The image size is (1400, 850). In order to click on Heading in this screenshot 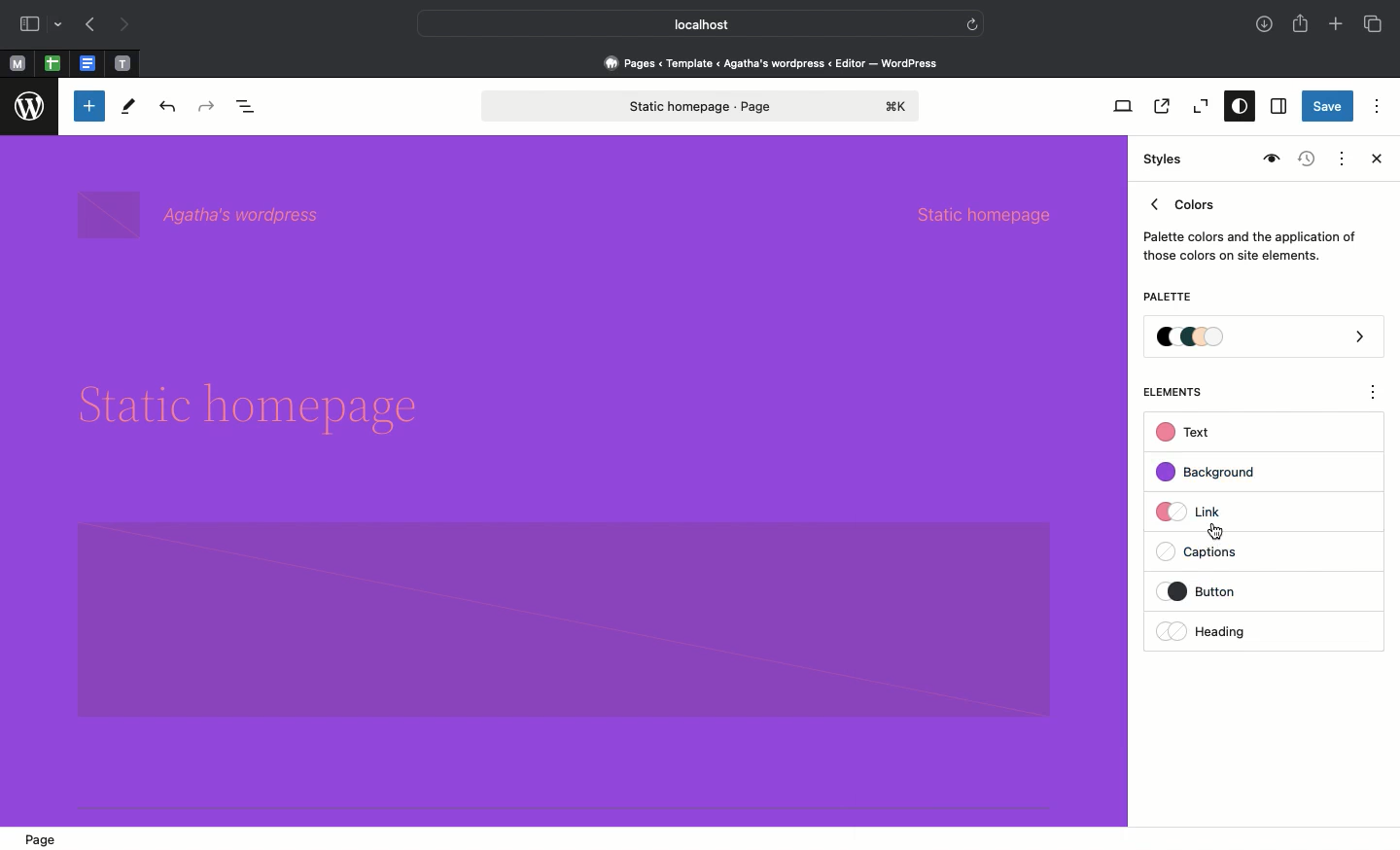, I will do `click(1206, 631)`.